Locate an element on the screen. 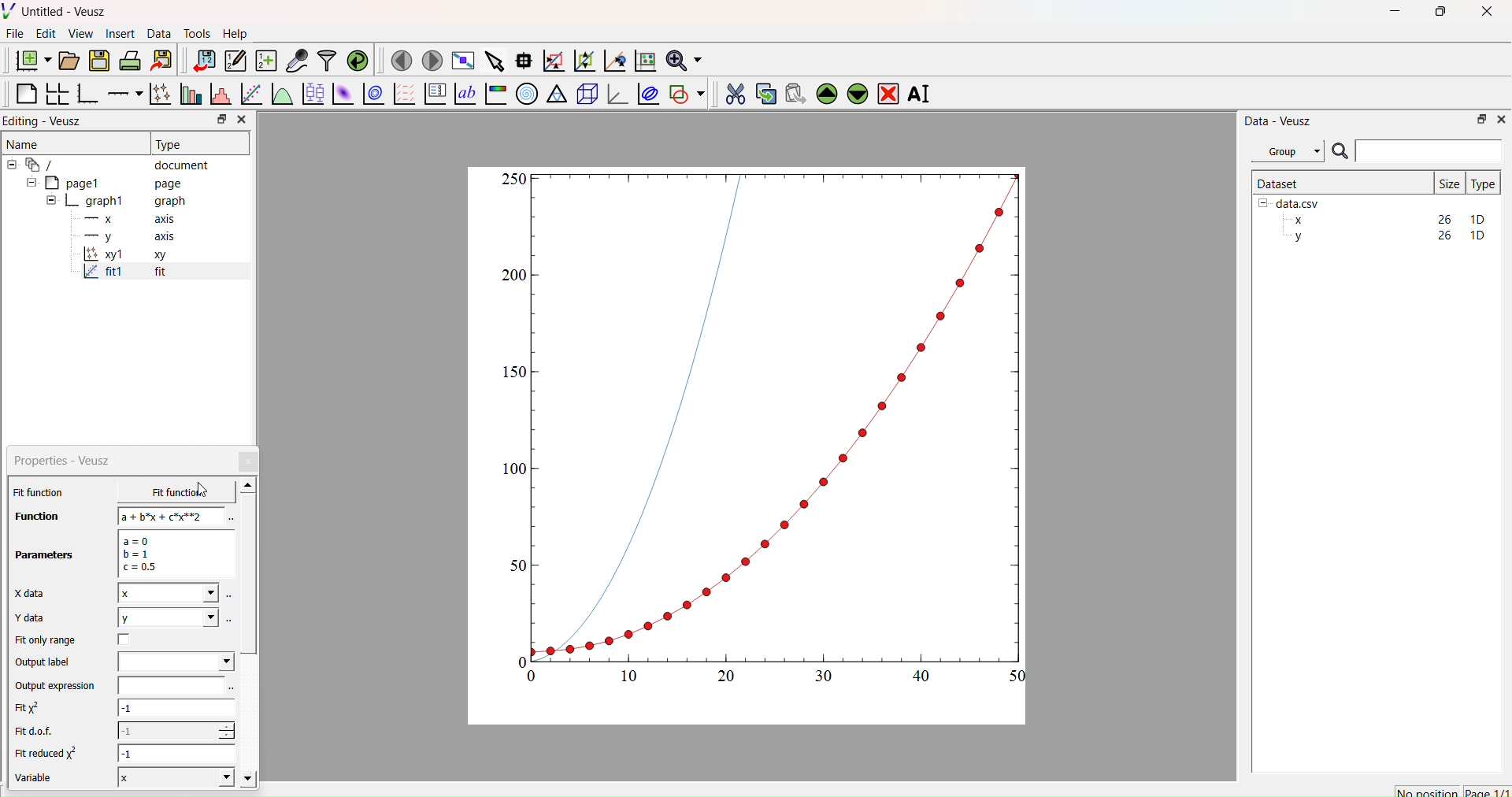 The width and height of the screenshot is (1512, 797). x axis is located at coordinates (128, 217).